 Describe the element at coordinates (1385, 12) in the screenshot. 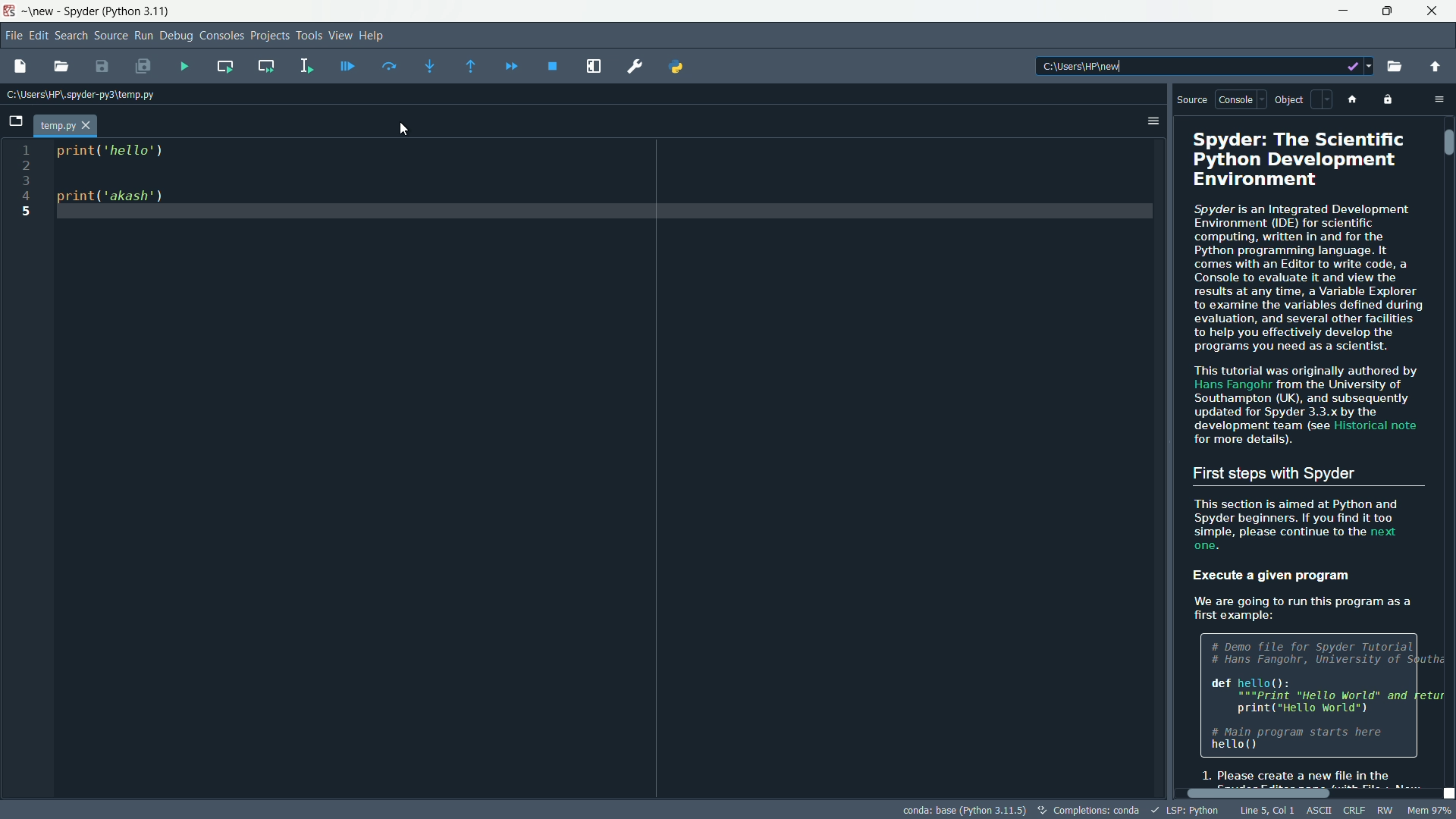

I see `maximize` at that location.